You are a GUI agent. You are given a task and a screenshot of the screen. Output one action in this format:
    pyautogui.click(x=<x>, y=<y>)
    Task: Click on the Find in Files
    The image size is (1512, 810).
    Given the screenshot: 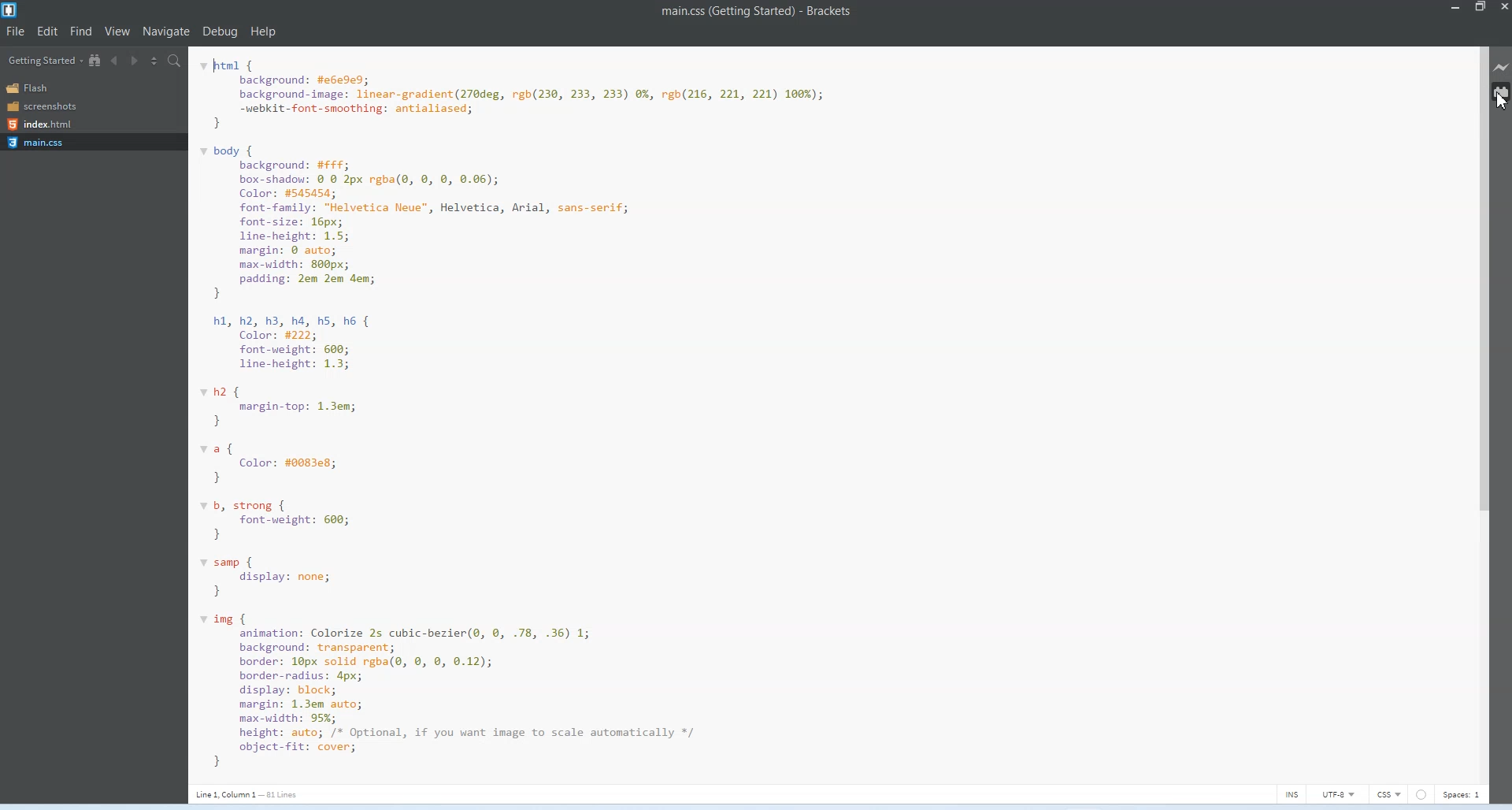 What is the action you would take?
    pyautogui.click(x=177, y=61)
    